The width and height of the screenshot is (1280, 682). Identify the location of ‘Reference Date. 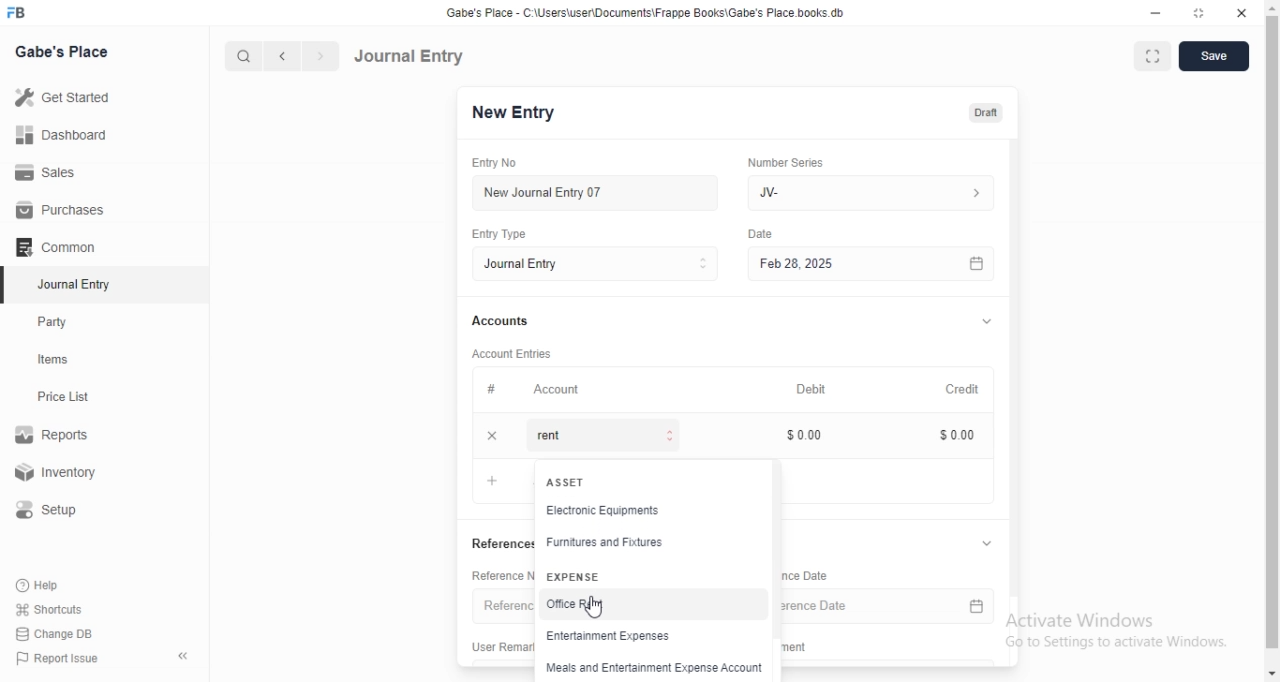
(811, 577).